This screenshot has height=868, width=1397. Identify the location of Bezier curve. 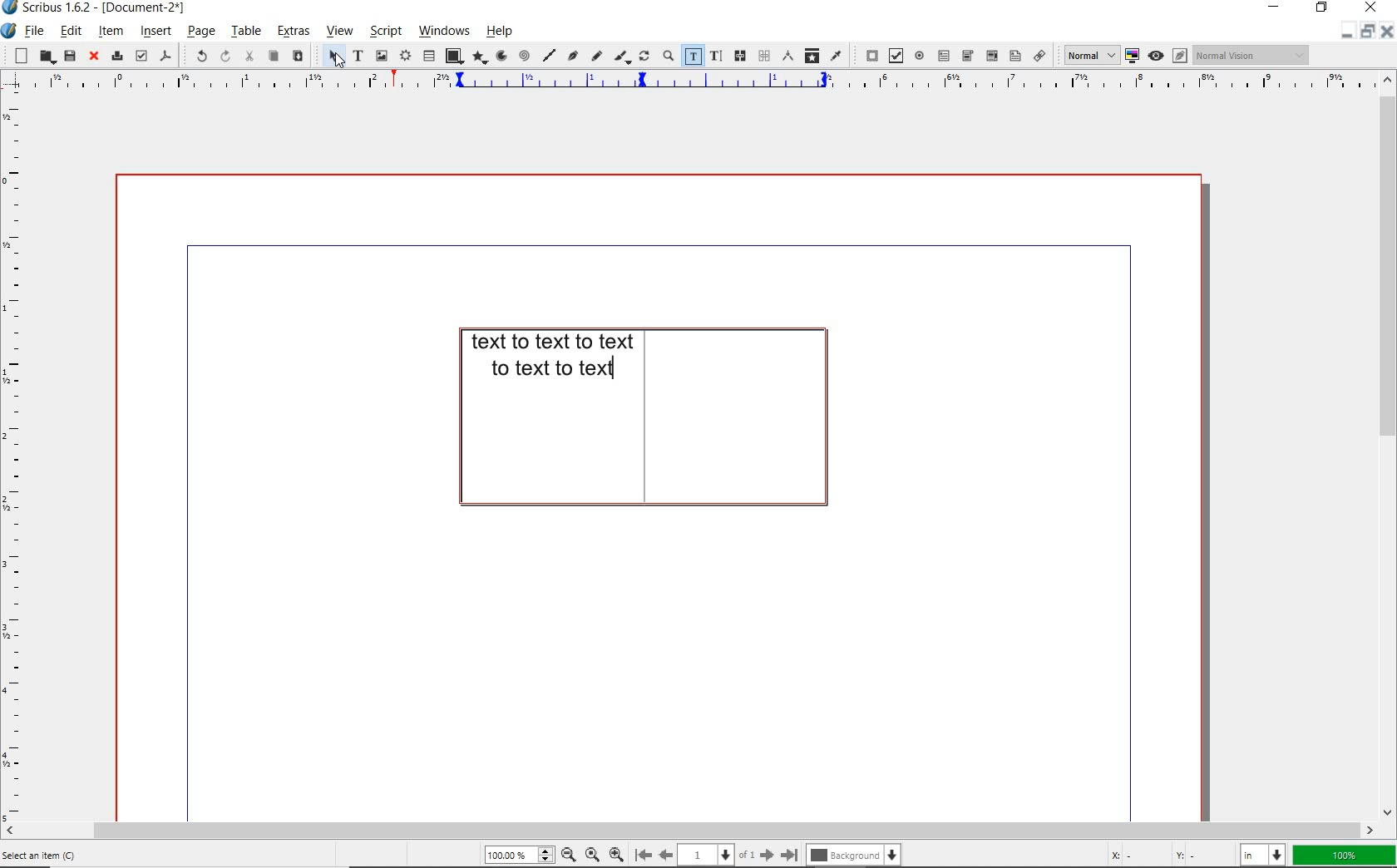
(573, 55).